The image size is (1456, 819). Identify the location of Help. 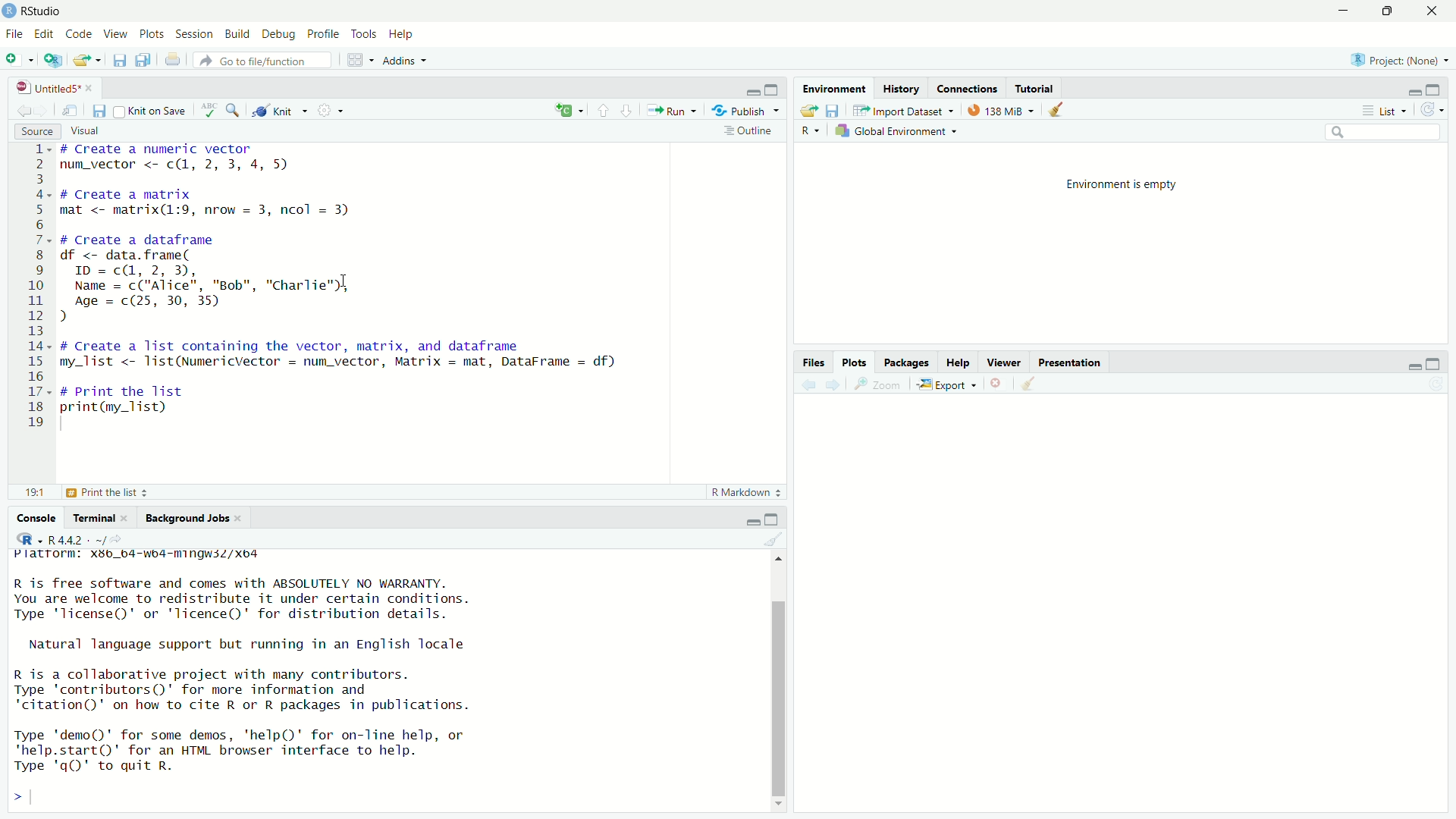
(959, 362).